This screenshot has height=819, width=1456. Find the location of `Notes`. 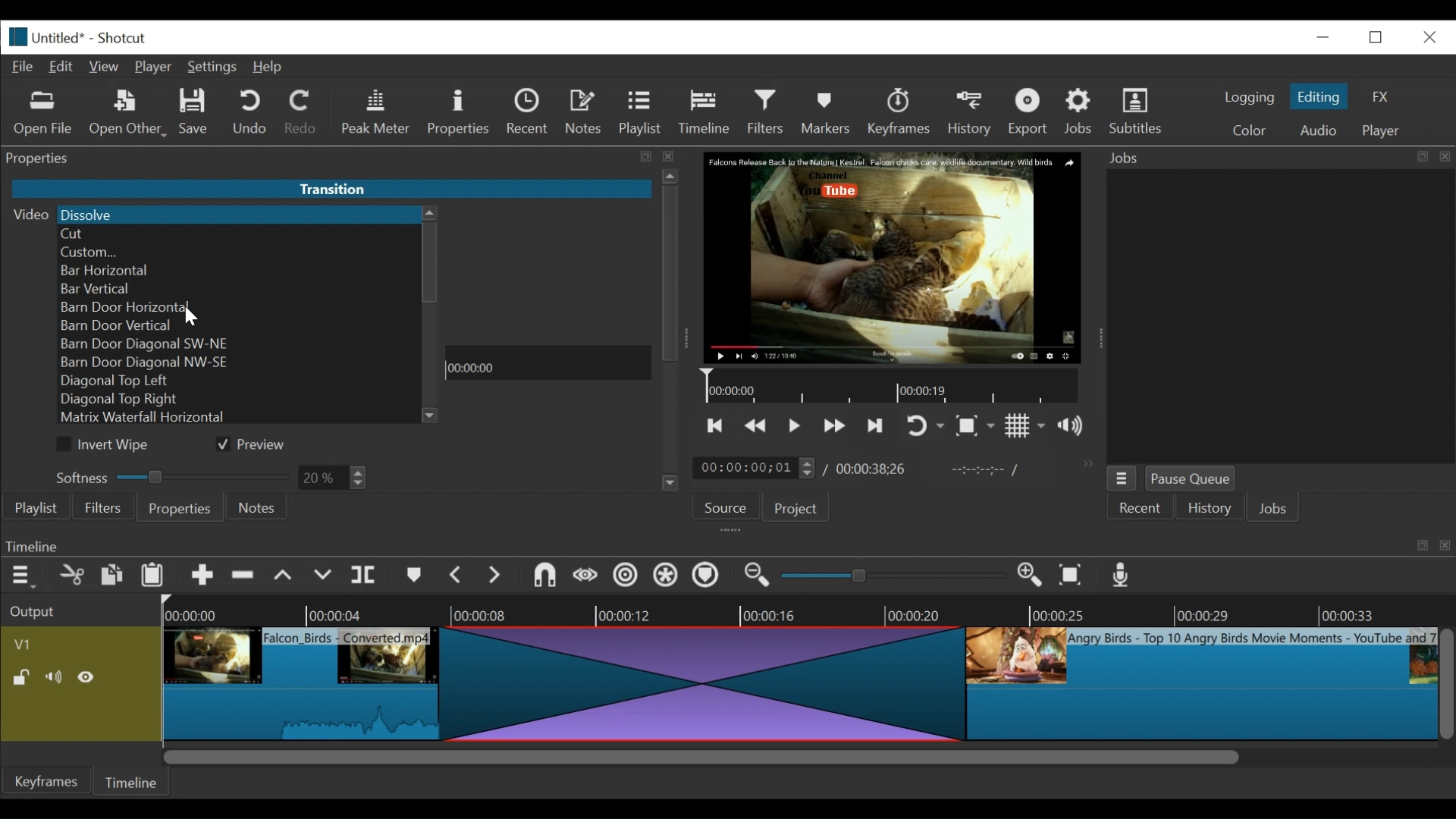

Notes is located at coordinates (586, 112).